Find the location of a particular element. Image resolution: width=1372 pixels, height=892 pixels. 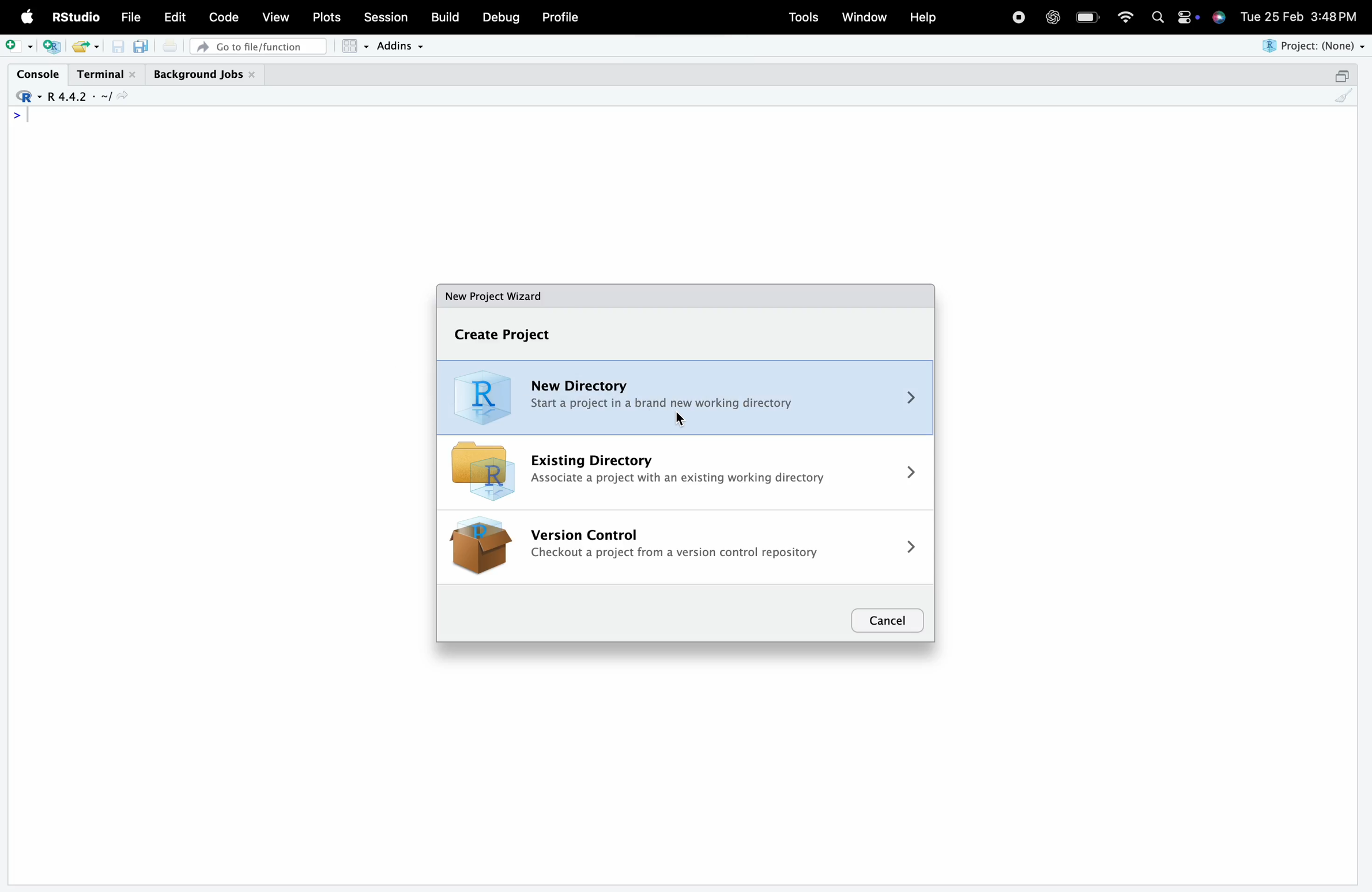

stop is located at coordinates (1018, 16).